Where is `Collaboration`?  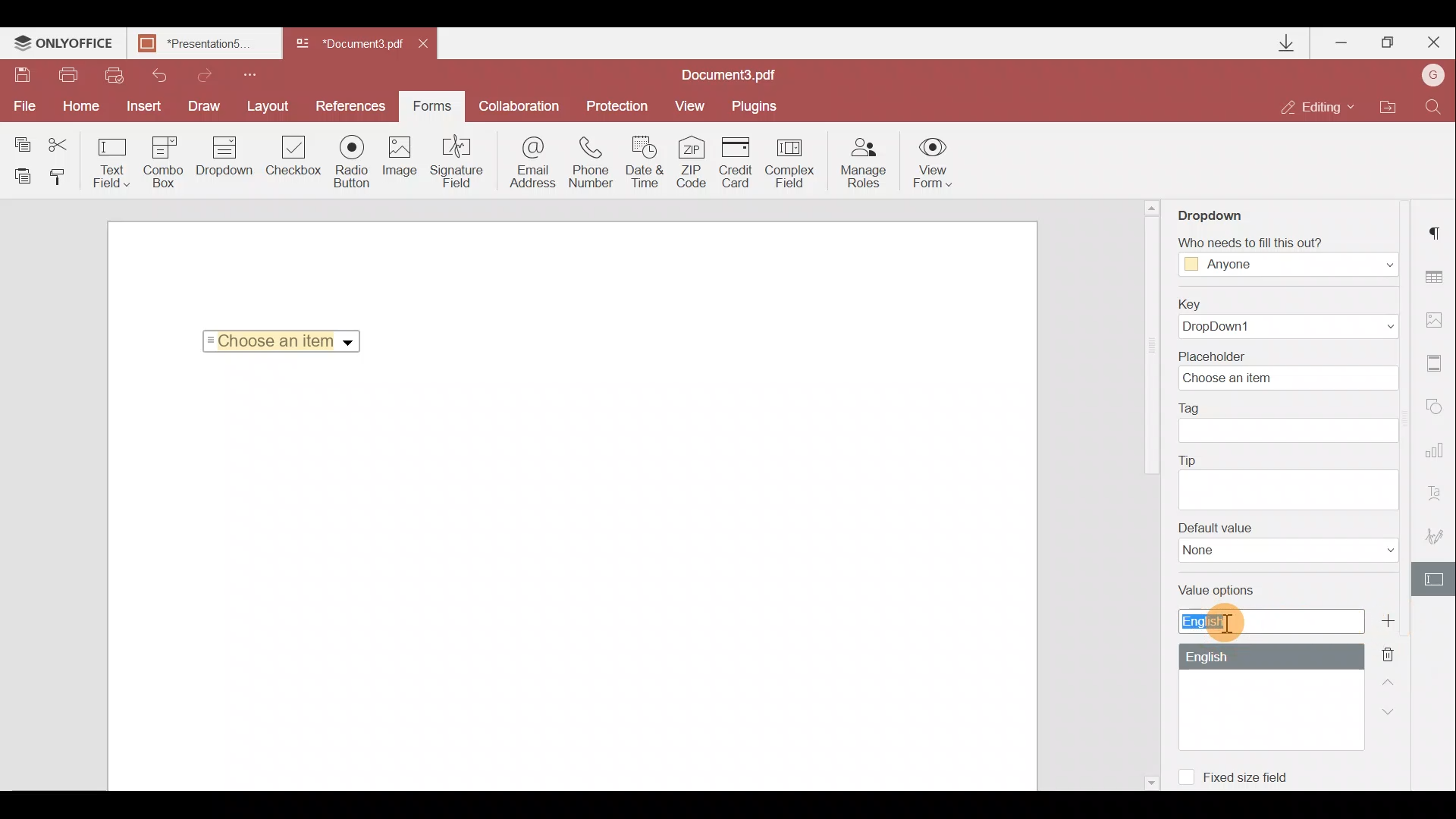 Collaboration is located at coordinates (518, 106).